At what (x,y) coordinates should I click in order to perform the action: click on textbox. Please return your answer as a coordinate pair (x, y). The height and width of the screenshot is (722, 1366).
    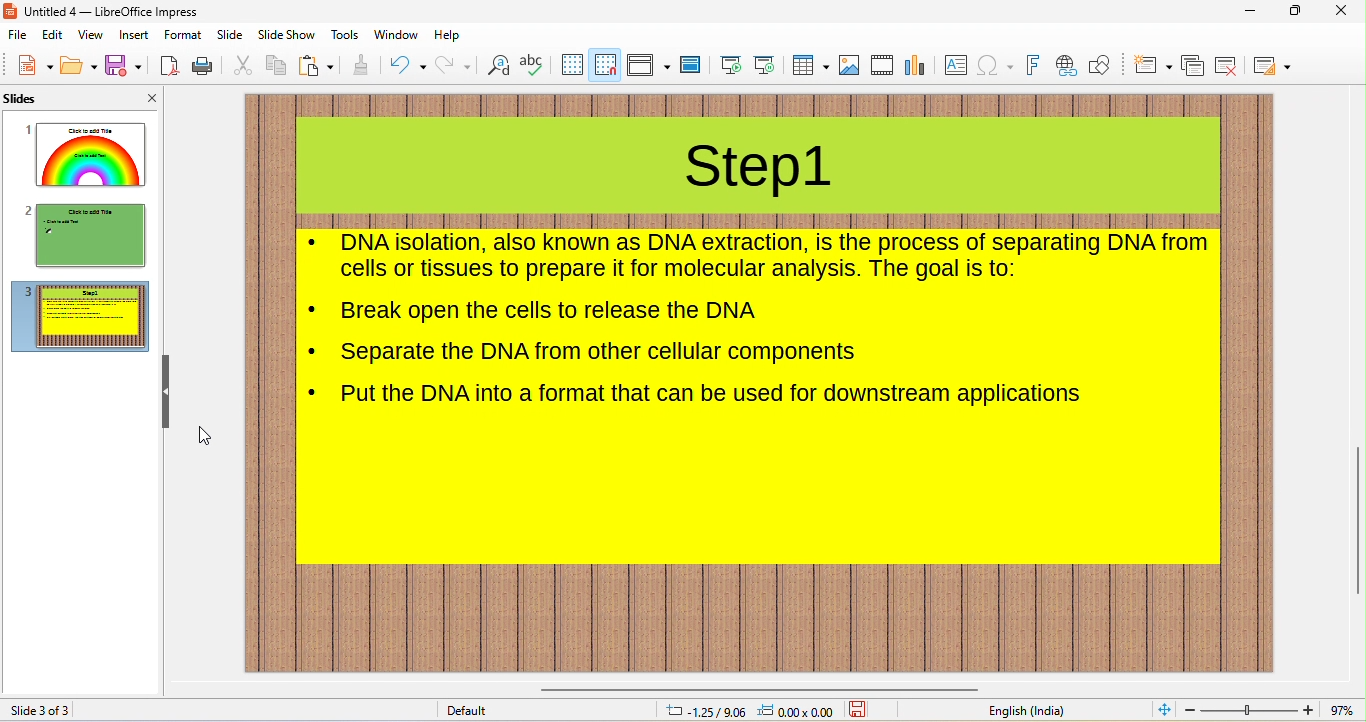
    Looking at the image, I should click on (958, 67).